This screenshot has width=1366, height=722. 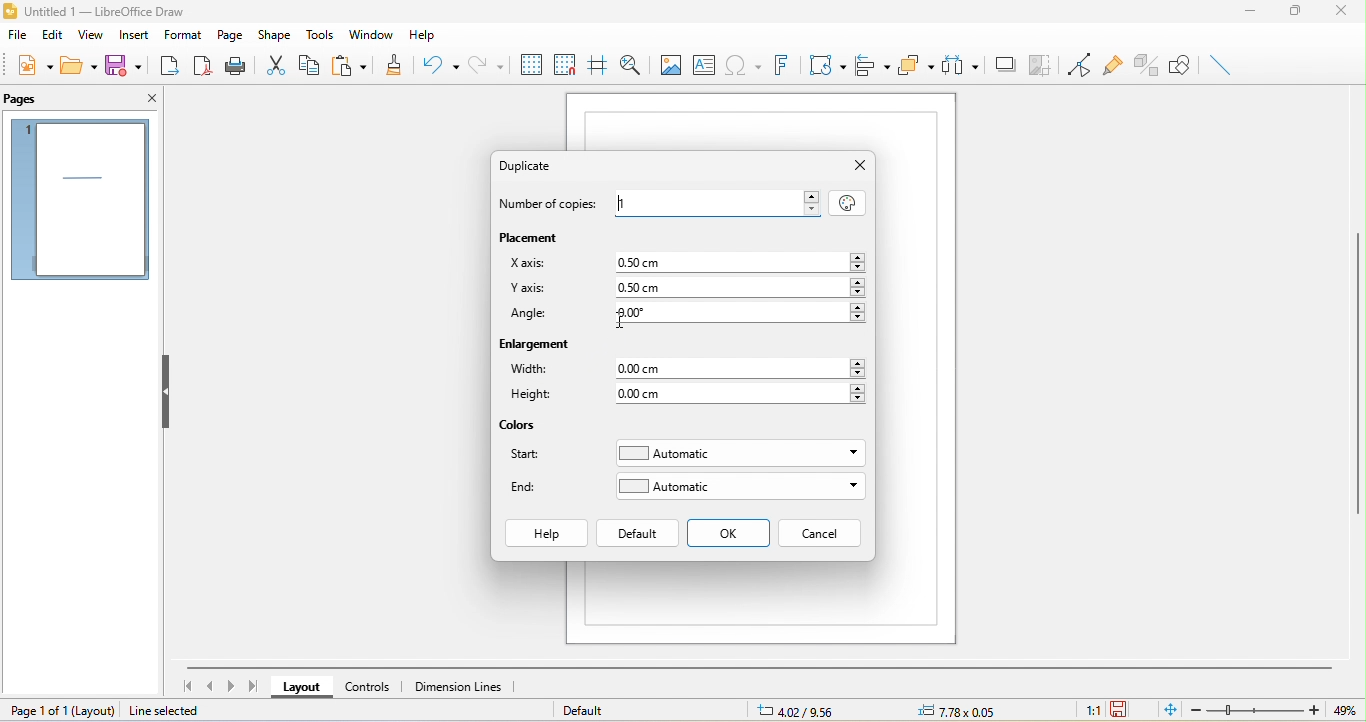 What do you see at coordinates (520, 426) in the screenshot?
I see `colors` at bounding box center [520, 426].